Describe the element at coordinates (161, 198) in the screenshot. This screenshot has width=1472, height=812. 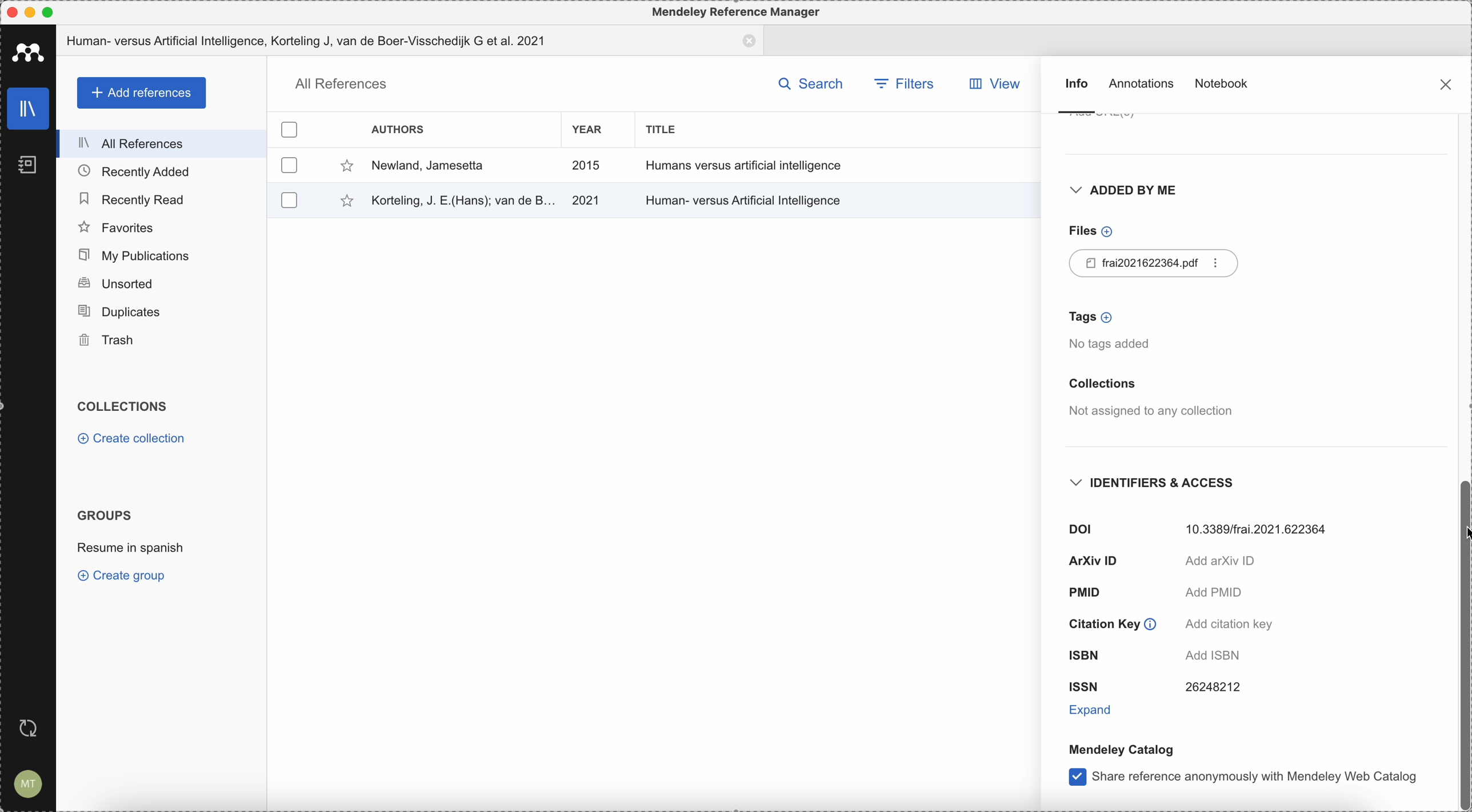
I see `recently read` at that location.